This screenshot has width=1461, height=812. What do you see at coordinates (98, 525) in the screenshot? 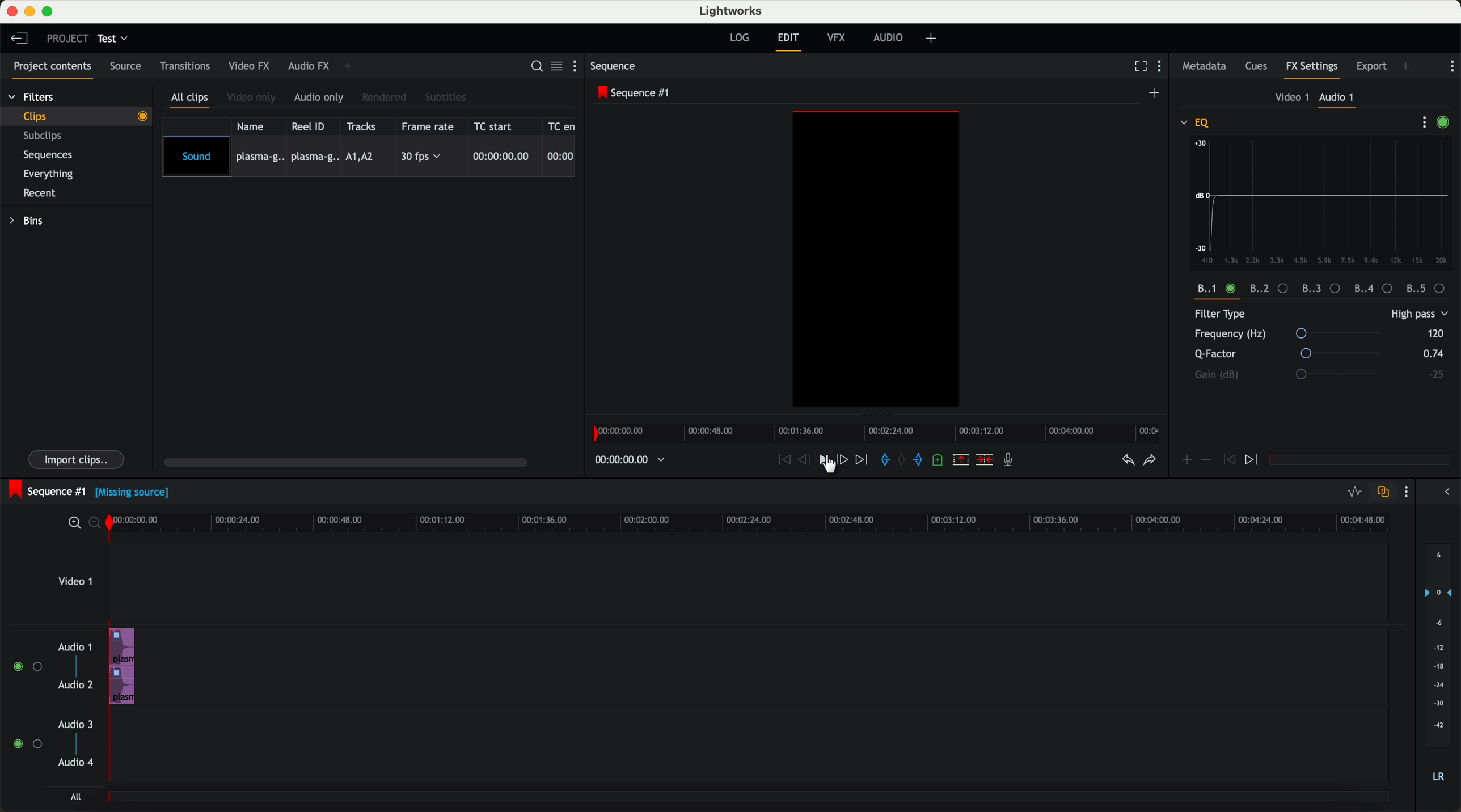
I see `zoom out` at bounding box center [98, 525].